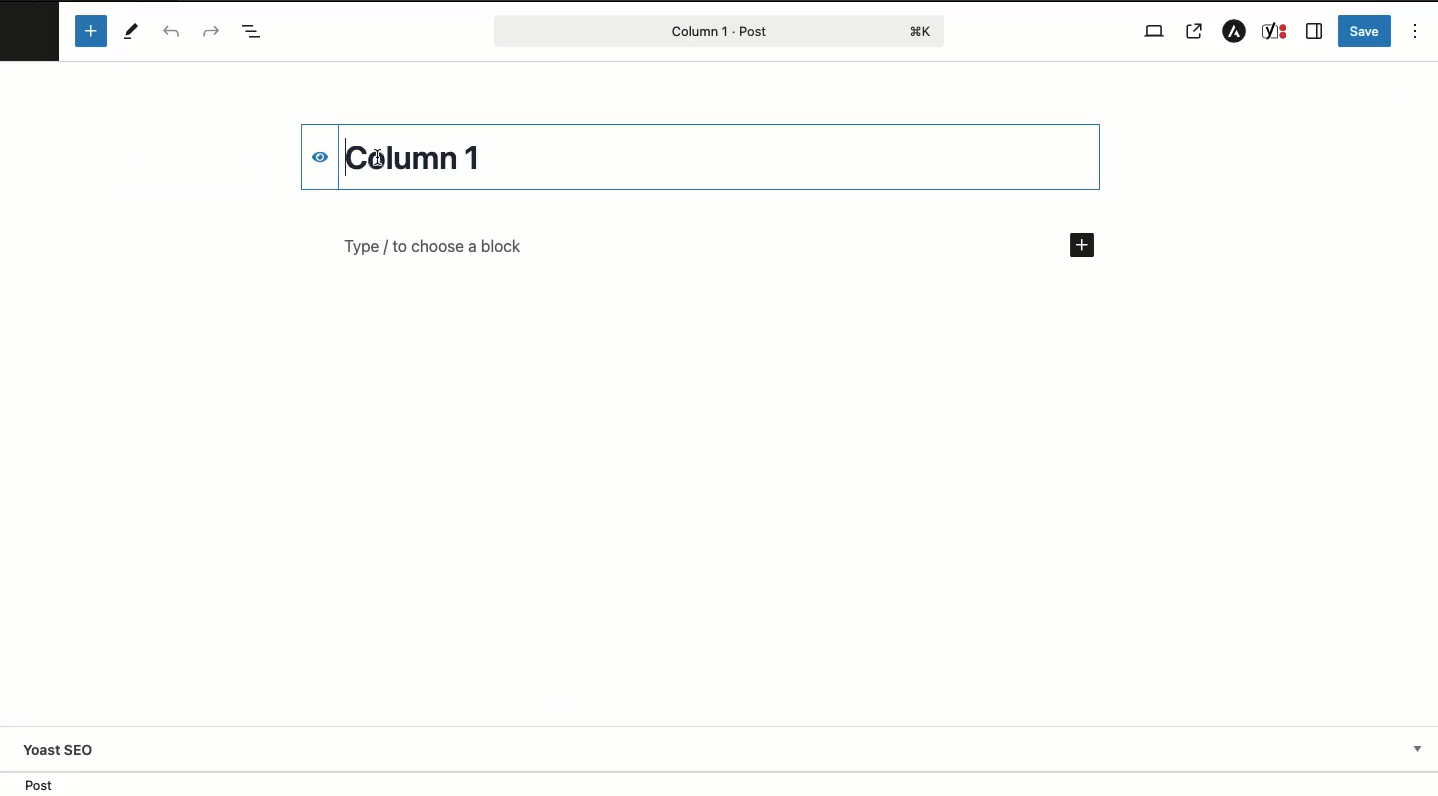 Image resolution: width=1438 pixels, height=796 pixels. What do you see at coordinates (1276, 32) in the screenshot?
I see `Yoast` at bounding box center [1276, 32].